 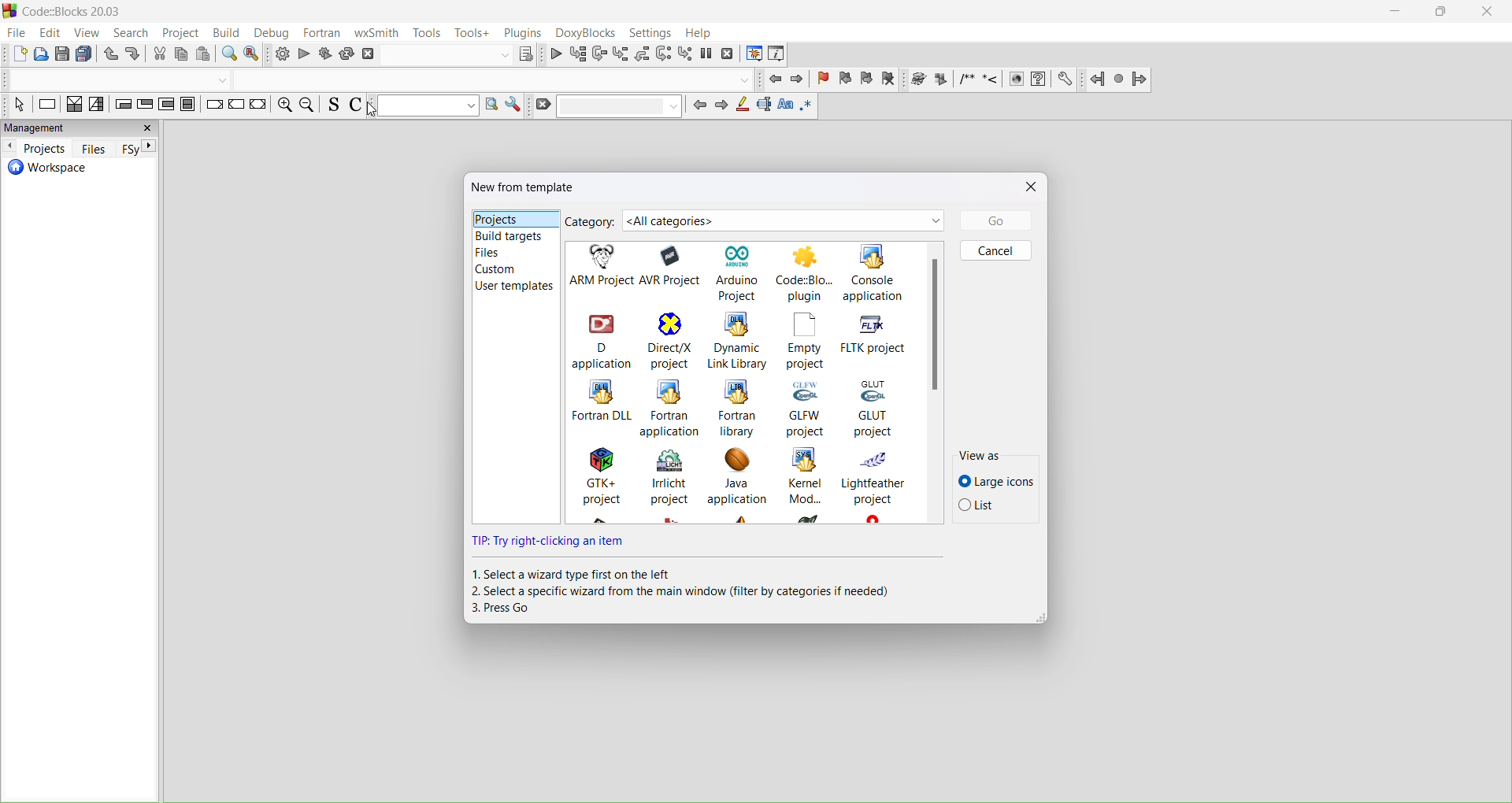 I want to click on open, so click(x=41, y=54).